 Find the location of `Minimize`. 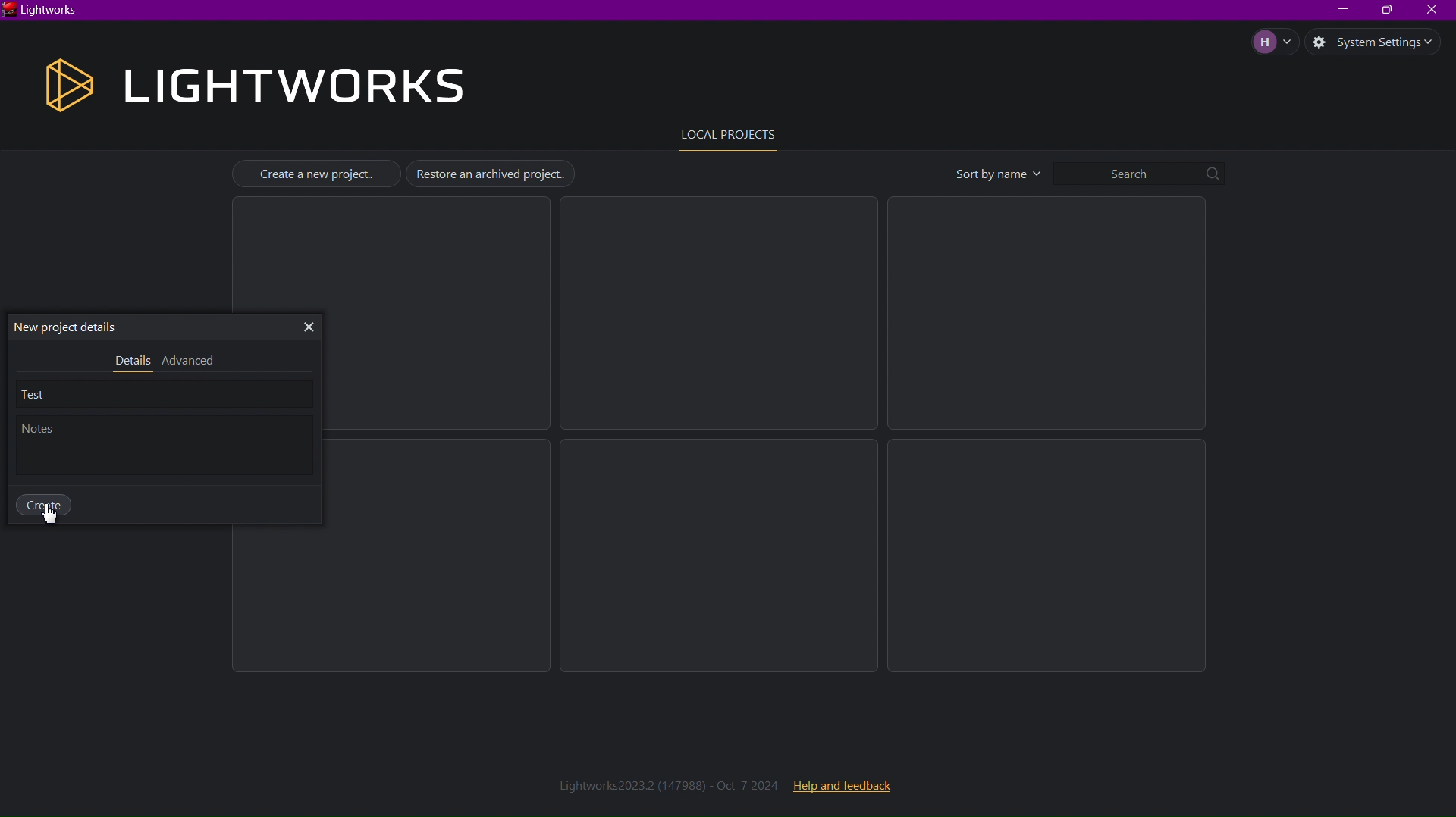

Minimize is located at coordinates (1337, 11).